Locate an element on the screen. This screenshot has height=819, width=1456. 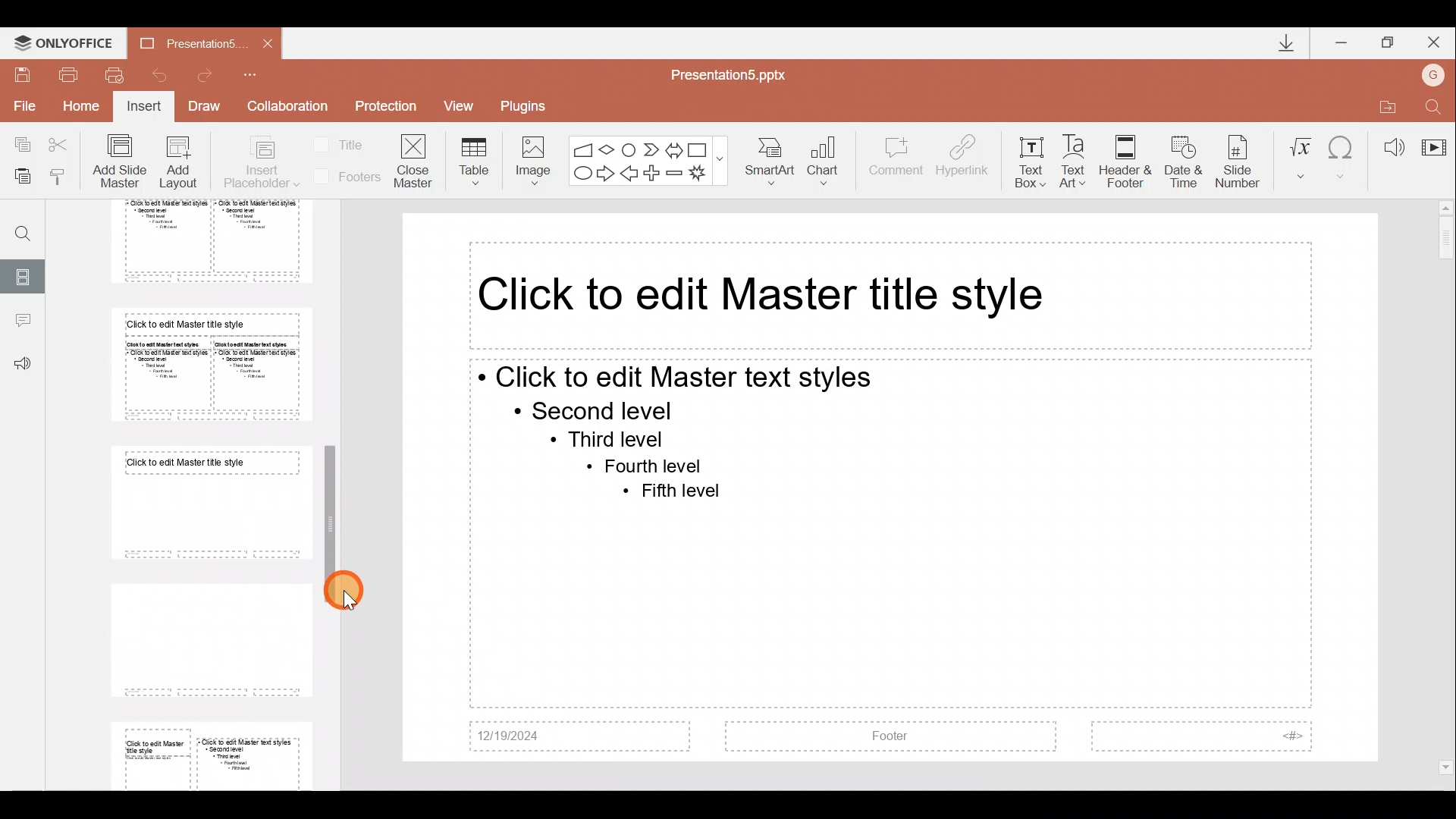
Equation is located at coordinates (1300, 155).